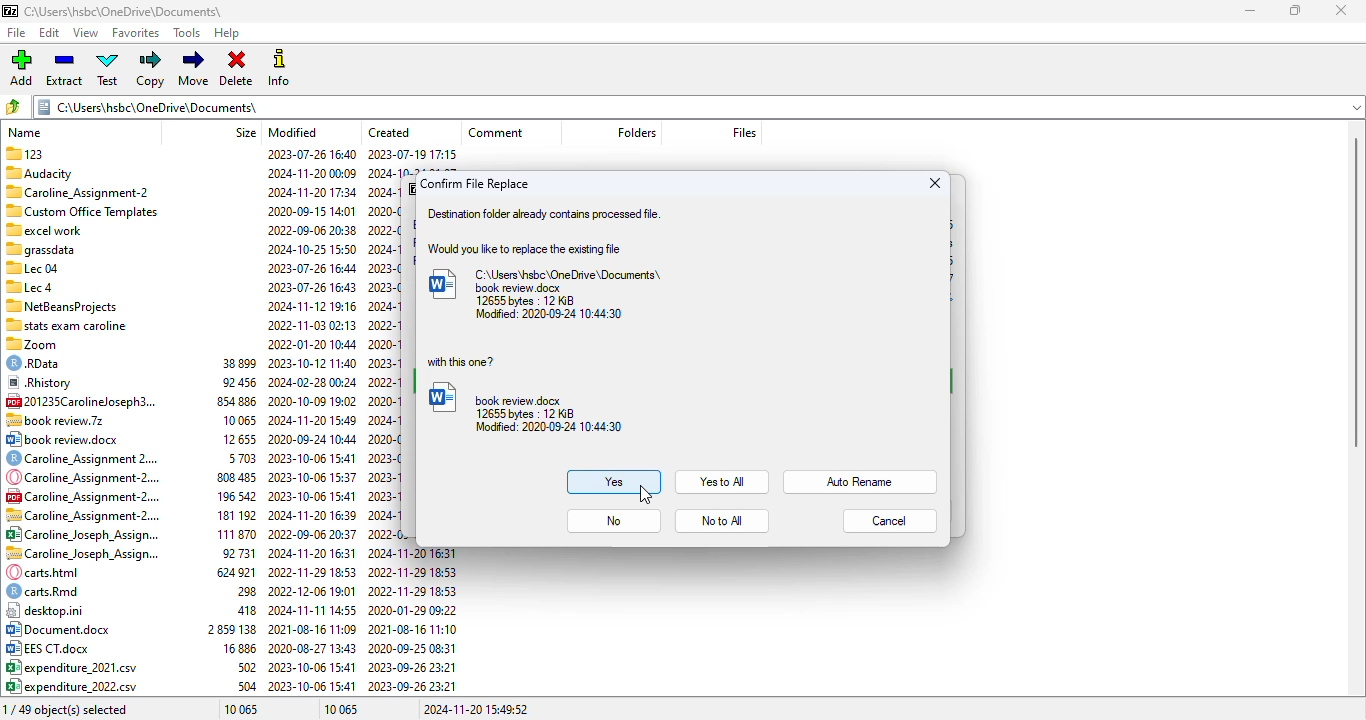 The width and height of the screenshot is (1366, 720). What do you see at coordinates (463, 363) in the screenshot?
I see `with this one?` at bounding box center [463, 363].